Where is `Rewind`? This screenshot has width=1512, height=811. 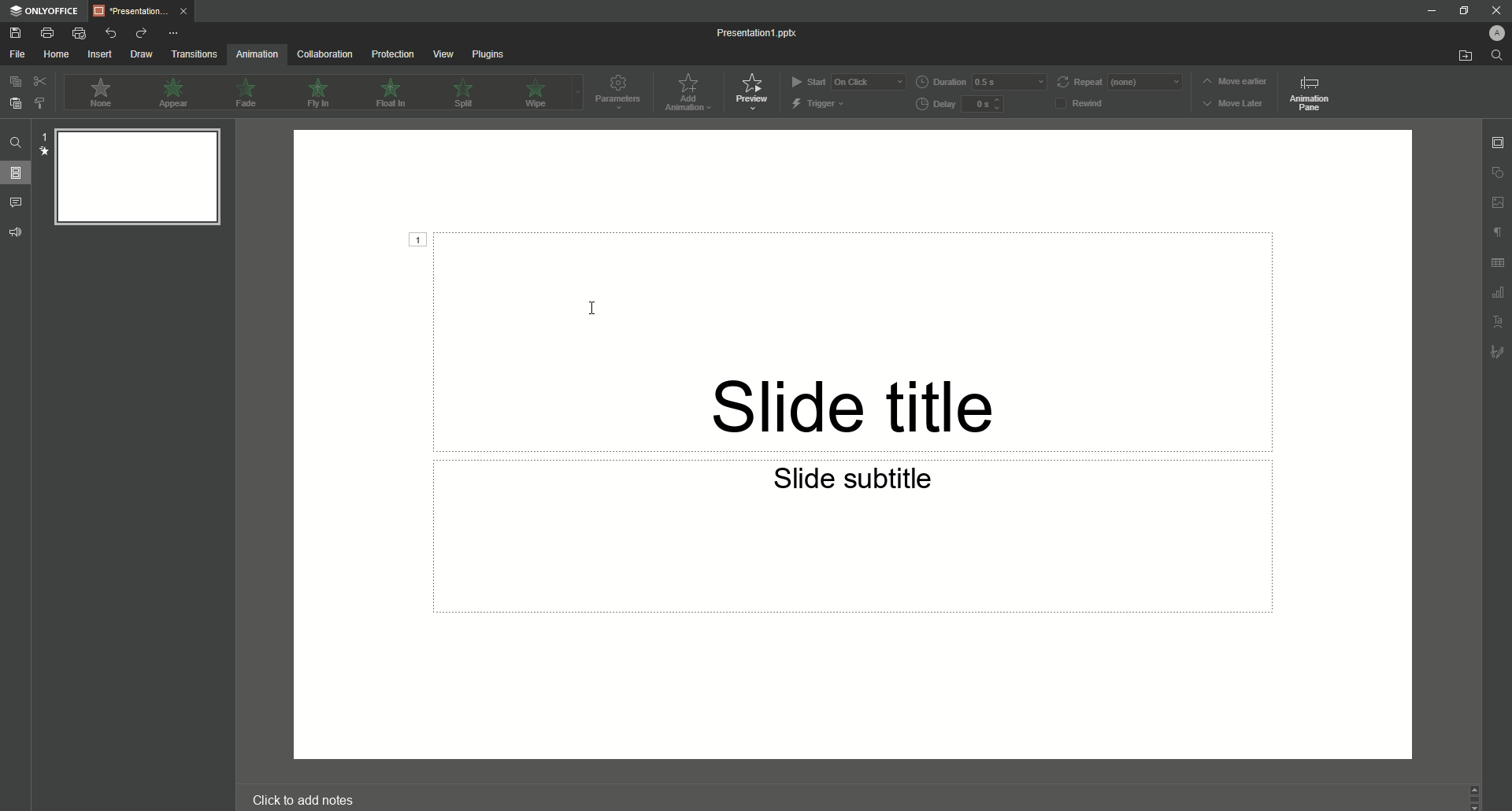 Rewind is located at coordinates (1085, 104).